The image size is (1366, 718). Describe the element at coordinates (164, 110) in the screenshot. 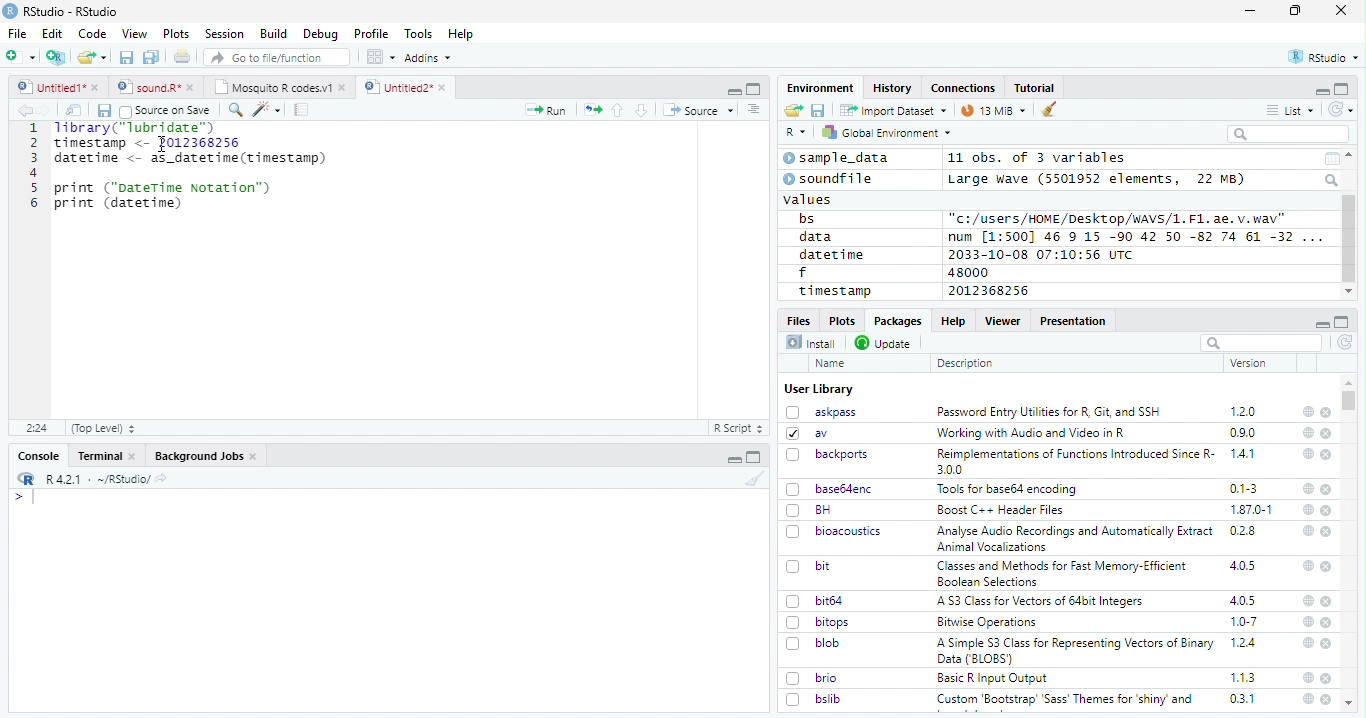

I see `Source on Save` at that location.